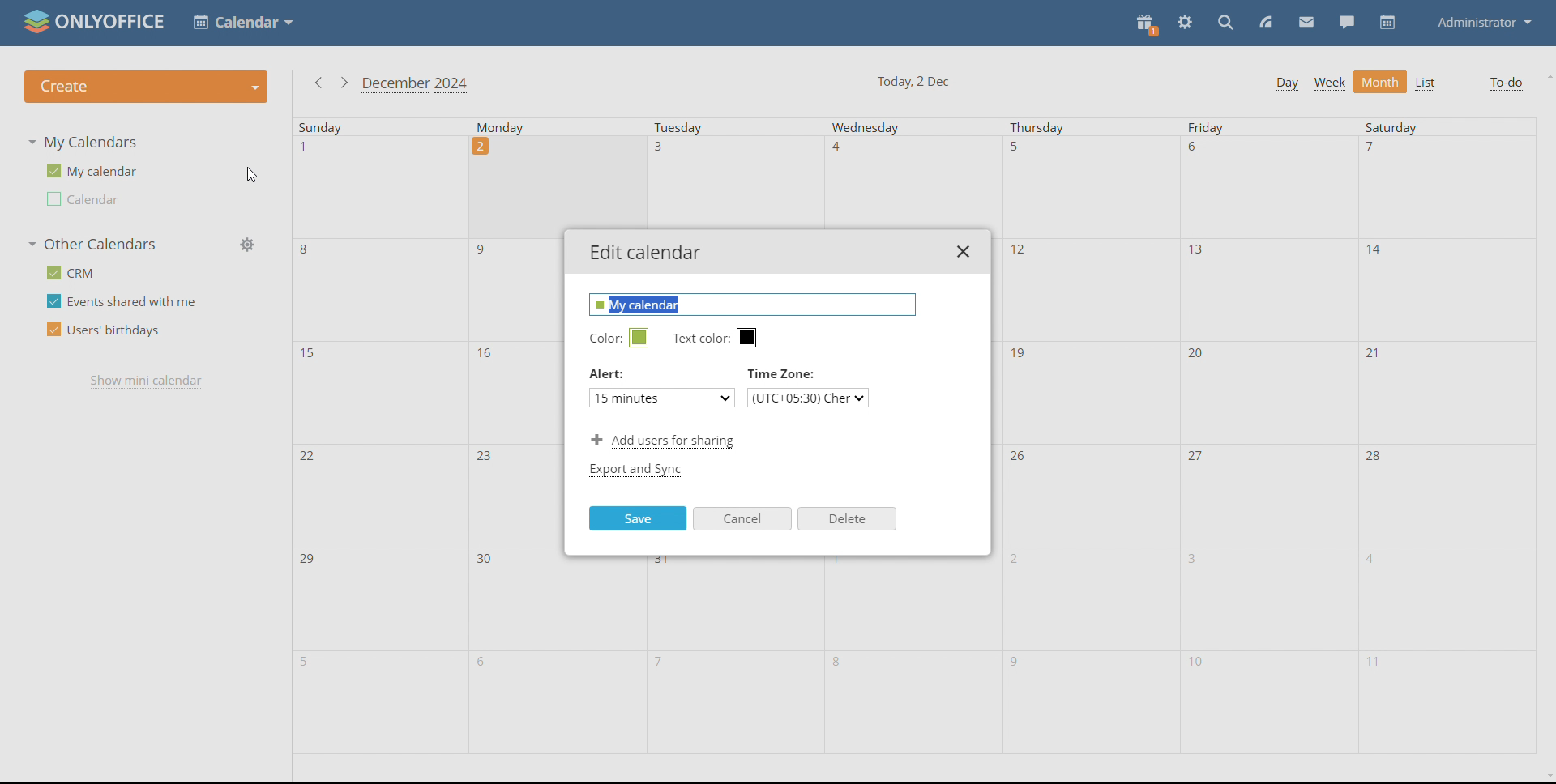 This screenshot has height=784, width=1556. I want to click on thursday, so click(1088, 445).